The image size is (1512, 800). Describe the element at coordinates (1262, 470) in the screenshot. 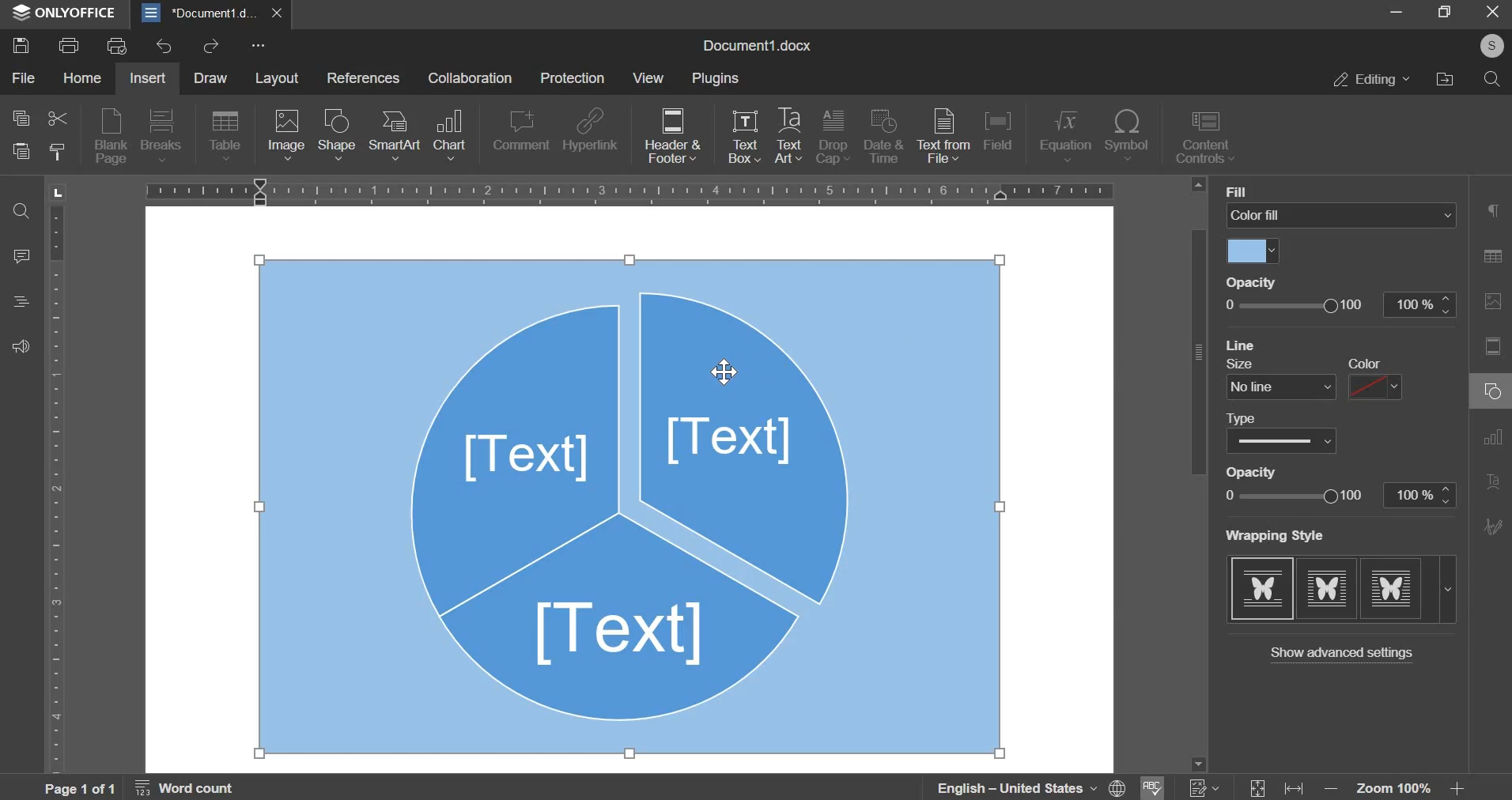

I see `` at that location.